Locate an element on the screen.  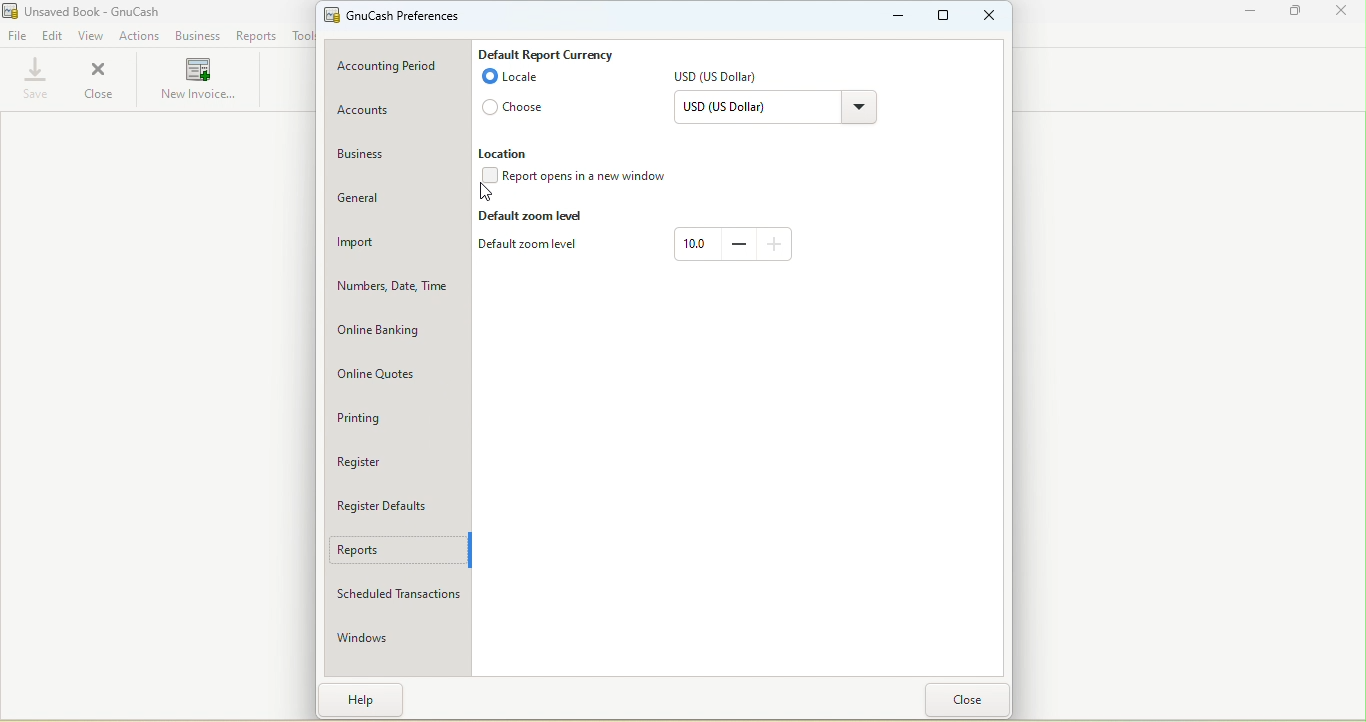
Windows is located at coordinates (393, 637).